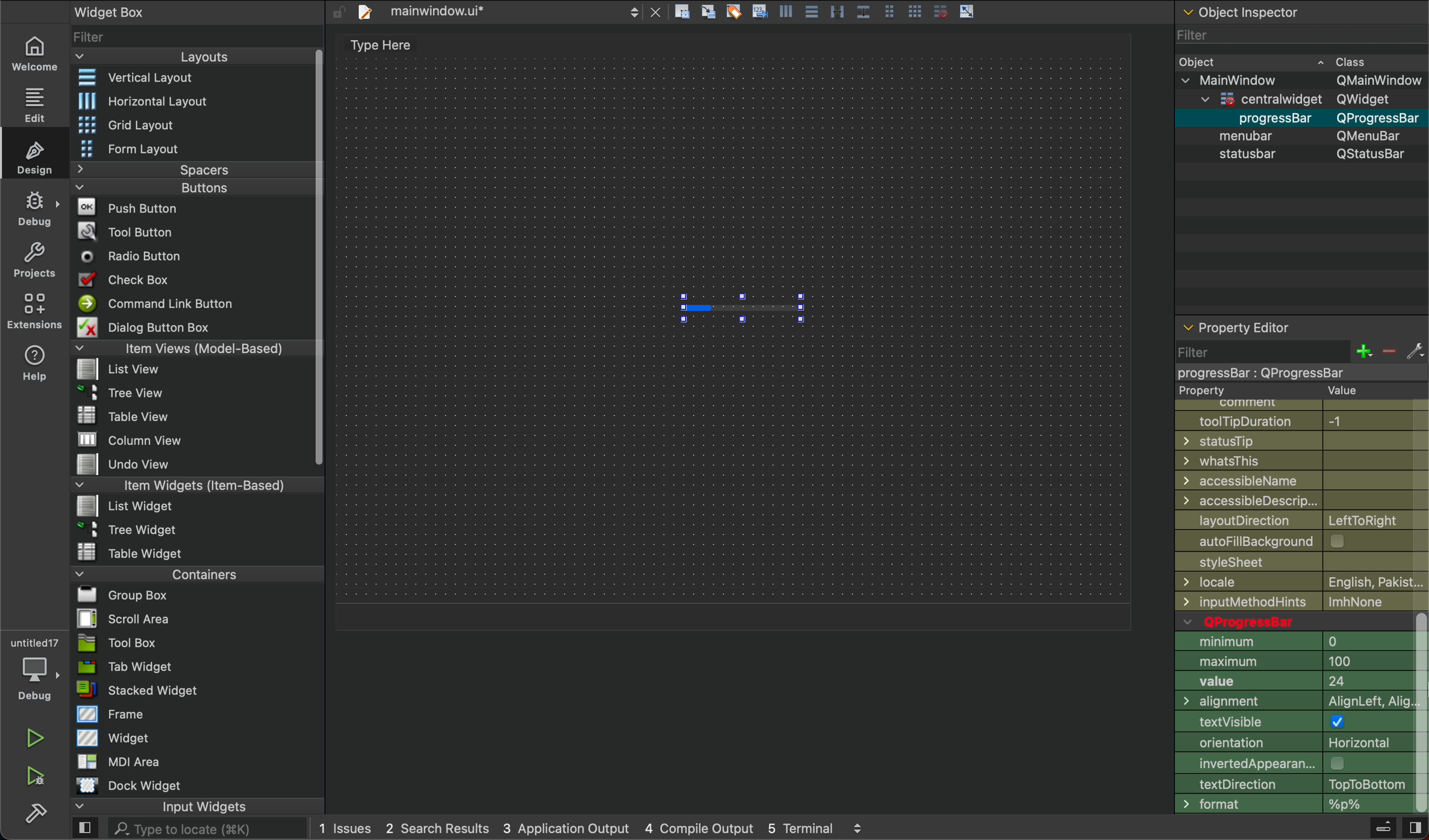 The width and height of the screenshot is (1429, 840). Describe the element at coordinates (338, 12) in the screenshot. I see `unlock` at that location.